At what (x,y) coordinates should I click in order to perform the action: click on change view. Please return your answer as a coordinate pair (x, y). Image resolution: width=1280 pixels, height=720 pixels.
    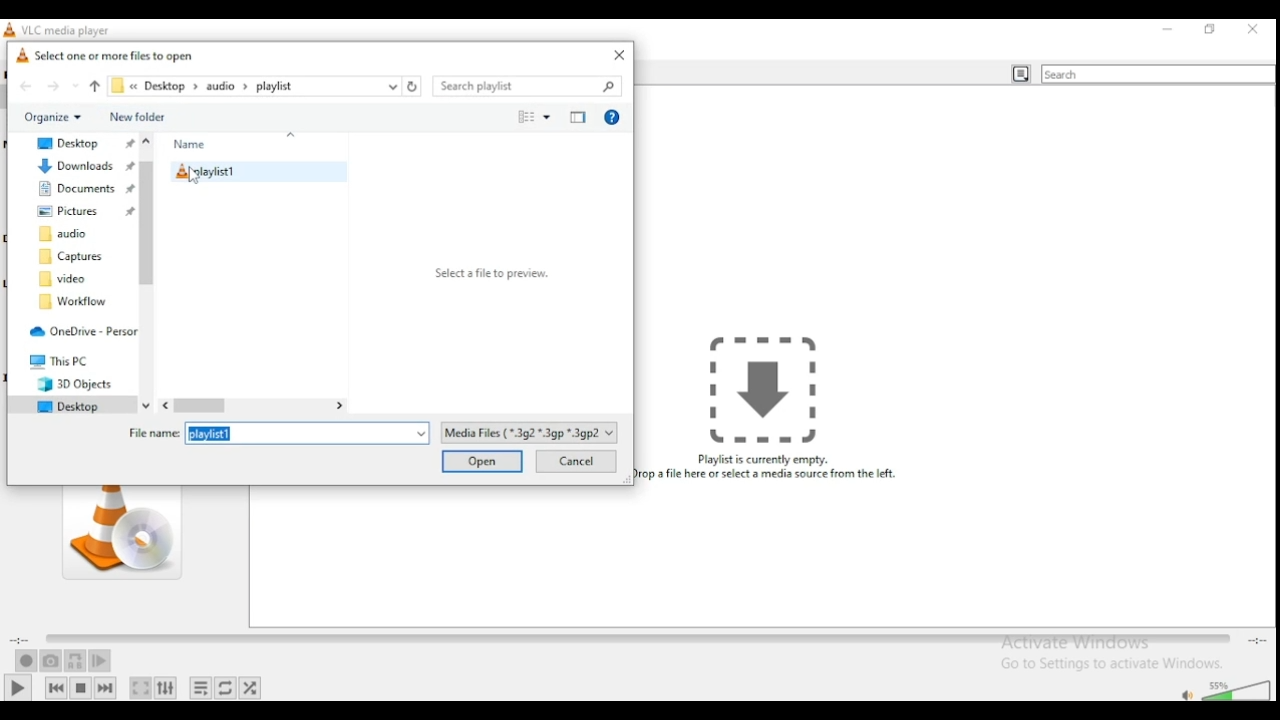
    Looking at the image, I should click on (539, 117).